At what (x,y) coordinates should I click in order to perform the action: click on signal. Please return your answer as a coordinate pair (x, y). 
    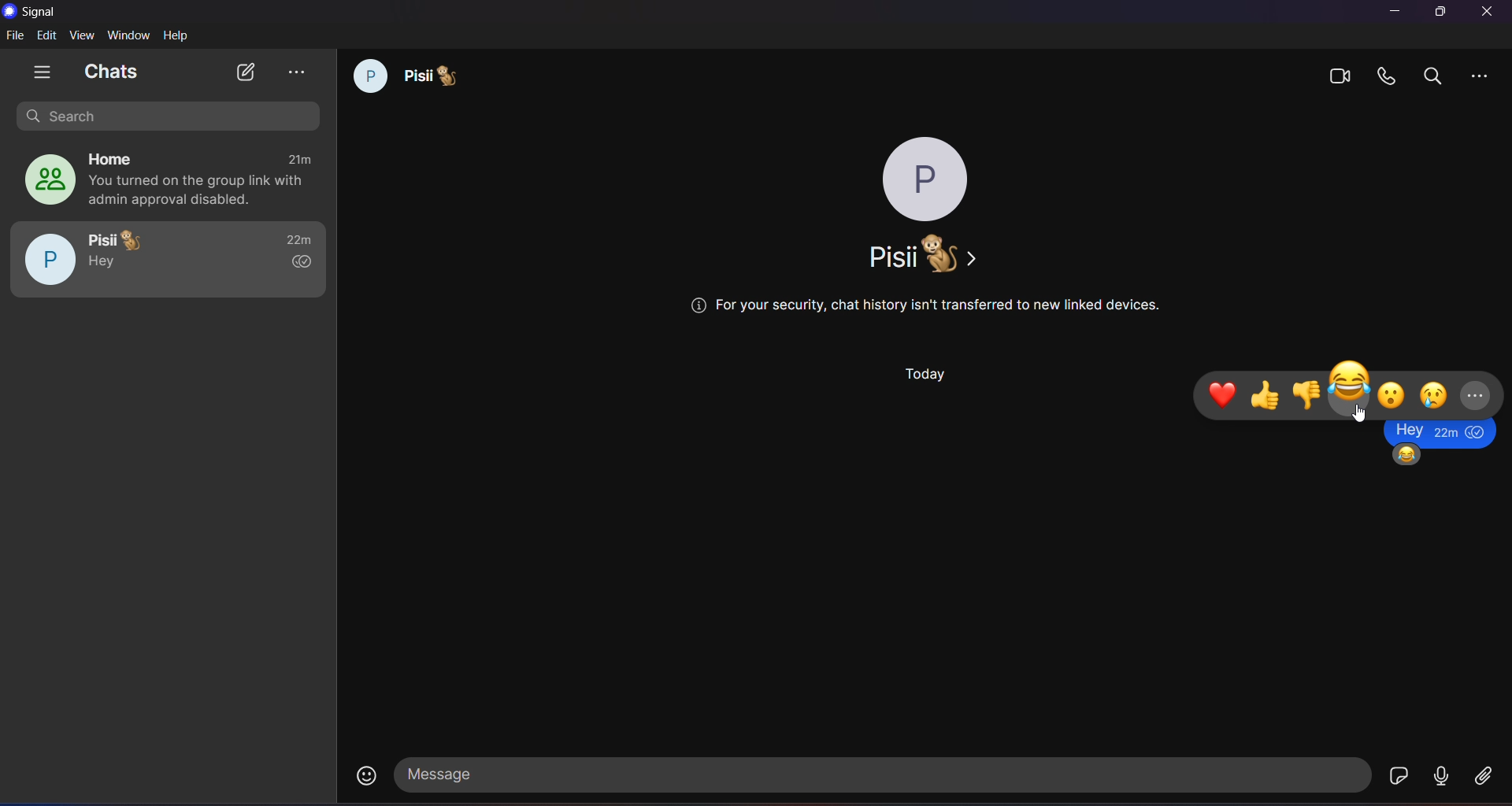
    Looking at the image, I should click on (38, 12).